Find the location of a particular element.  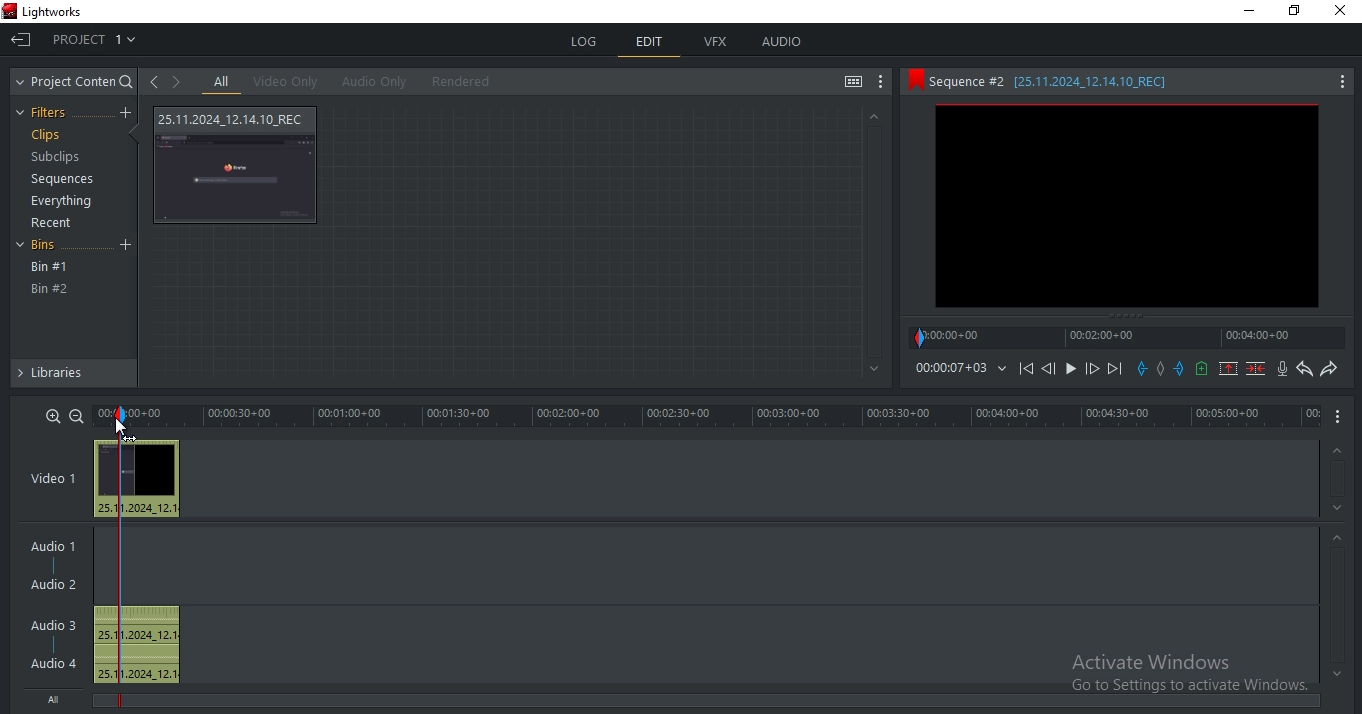

project content is located at coordinates (76, 82).